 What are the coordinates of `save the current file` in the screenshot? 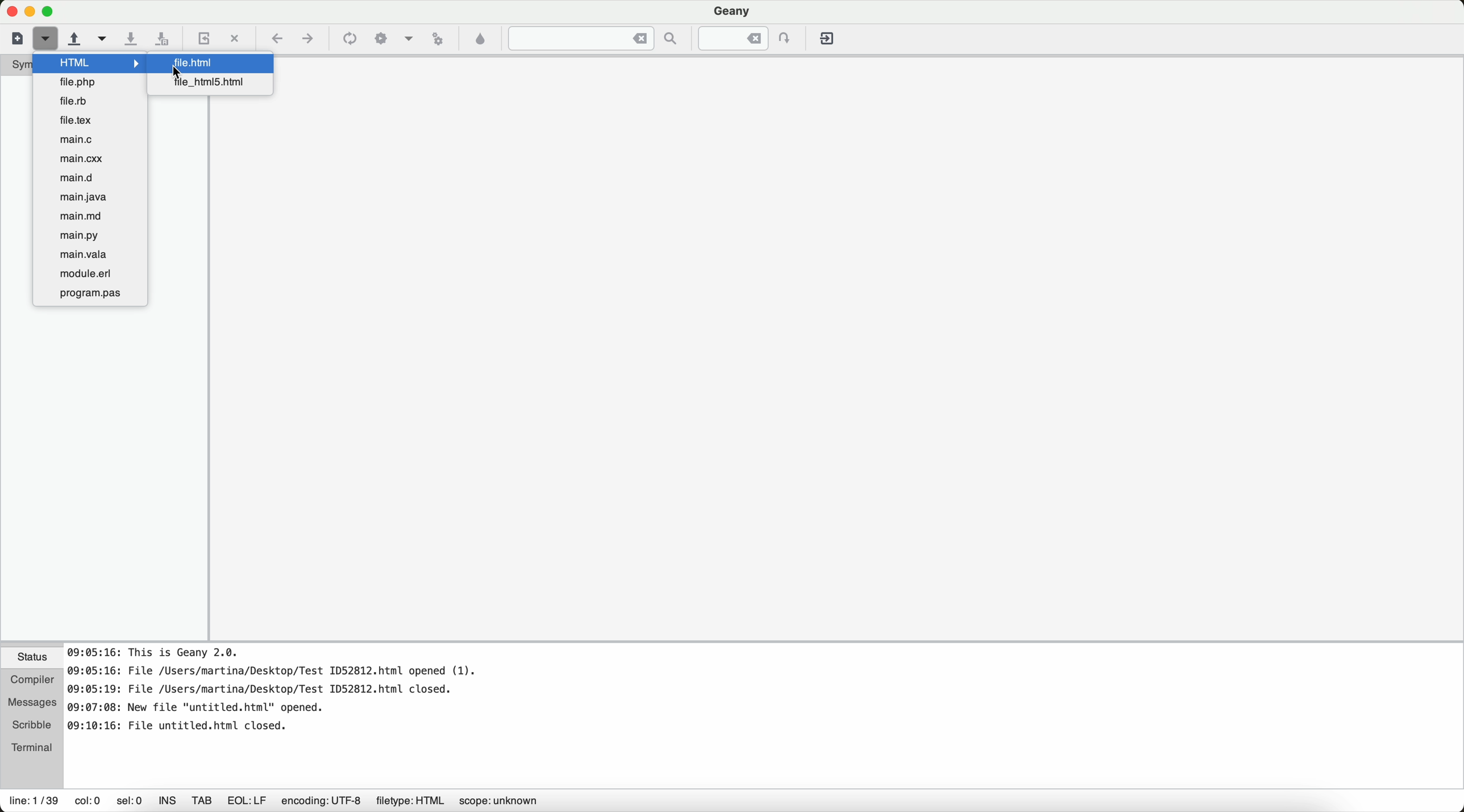 It's located at (132, 39).